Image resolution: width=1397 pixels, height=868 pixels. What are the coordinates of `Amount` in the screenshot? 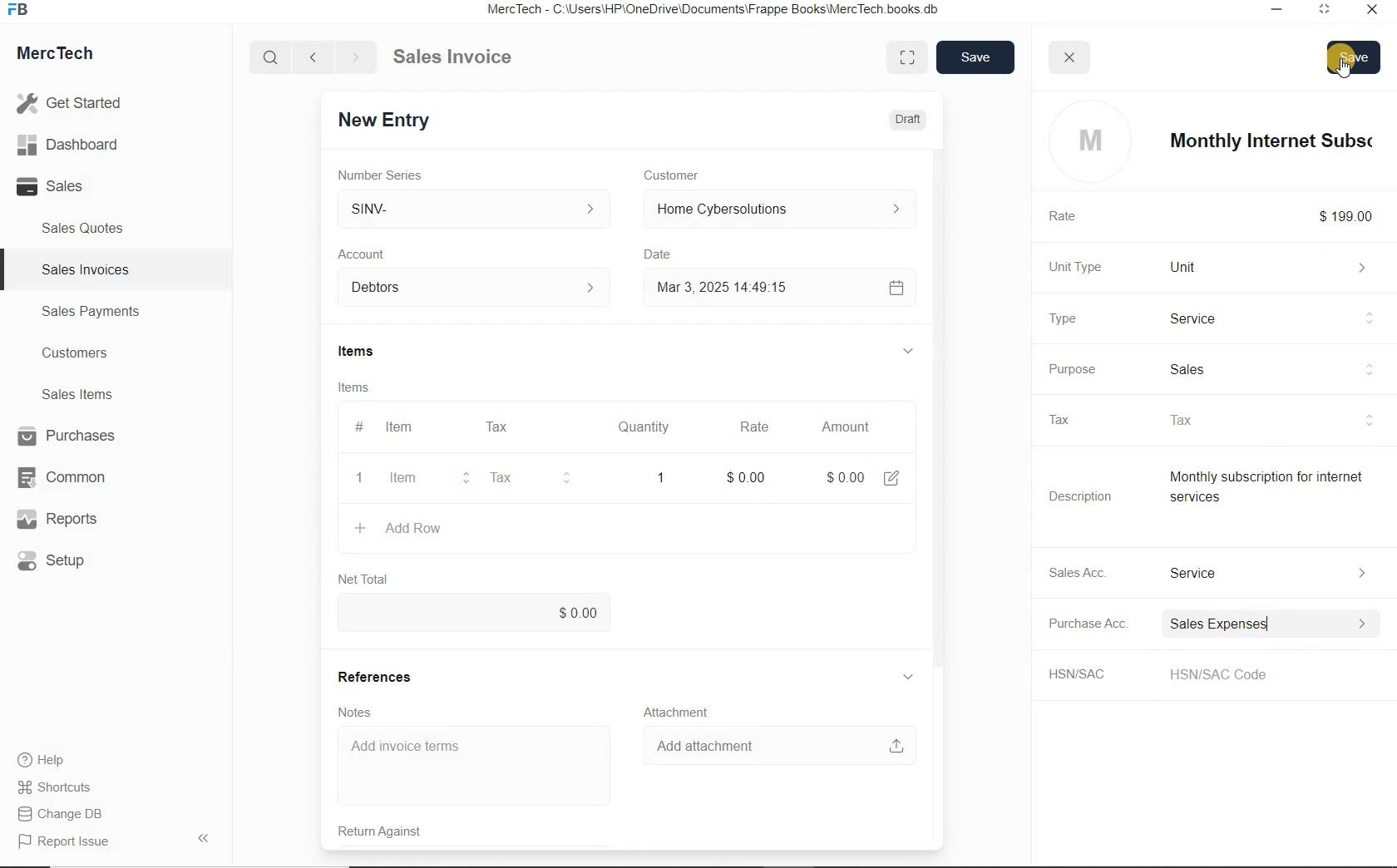 It's located at (842, 427).